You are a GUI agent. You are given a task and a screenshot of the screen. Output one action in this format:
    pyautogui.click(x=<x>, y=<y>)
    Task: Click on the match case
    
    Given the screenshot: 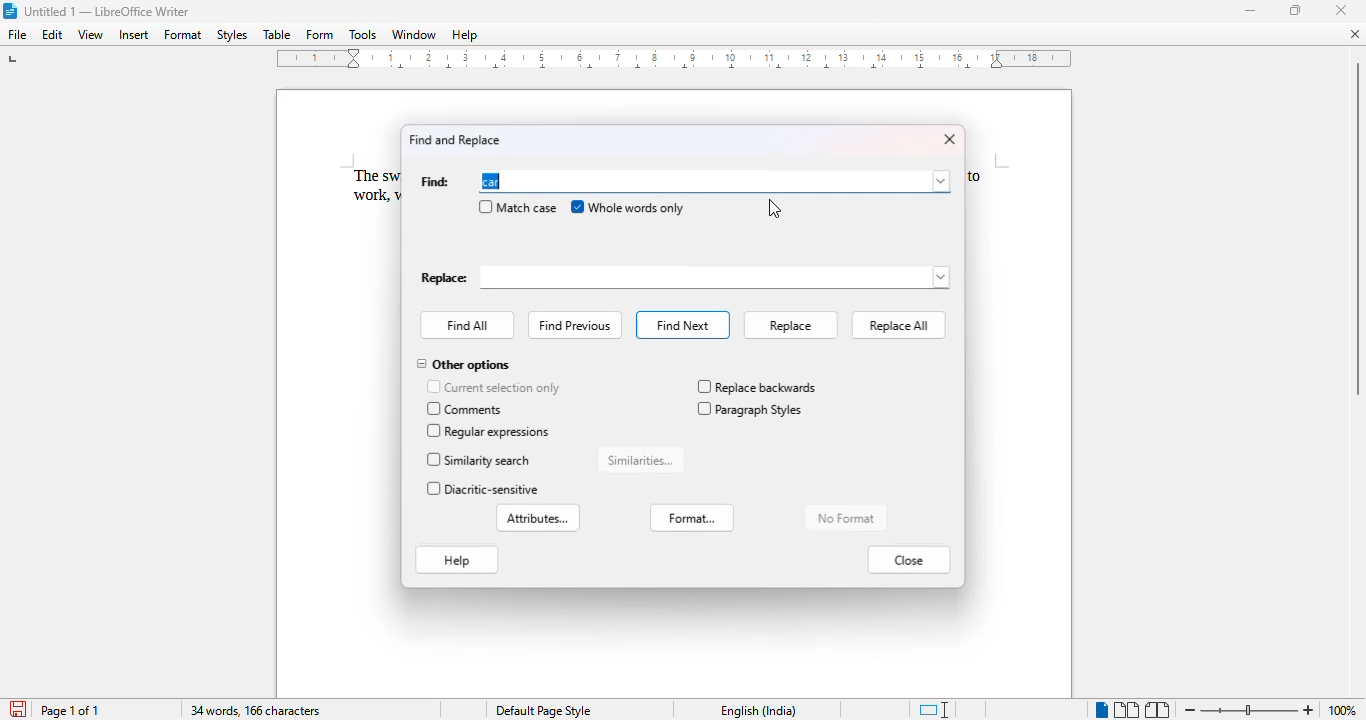 What is the action you would take?
    pyautogui.click(x=517, y=207)
    